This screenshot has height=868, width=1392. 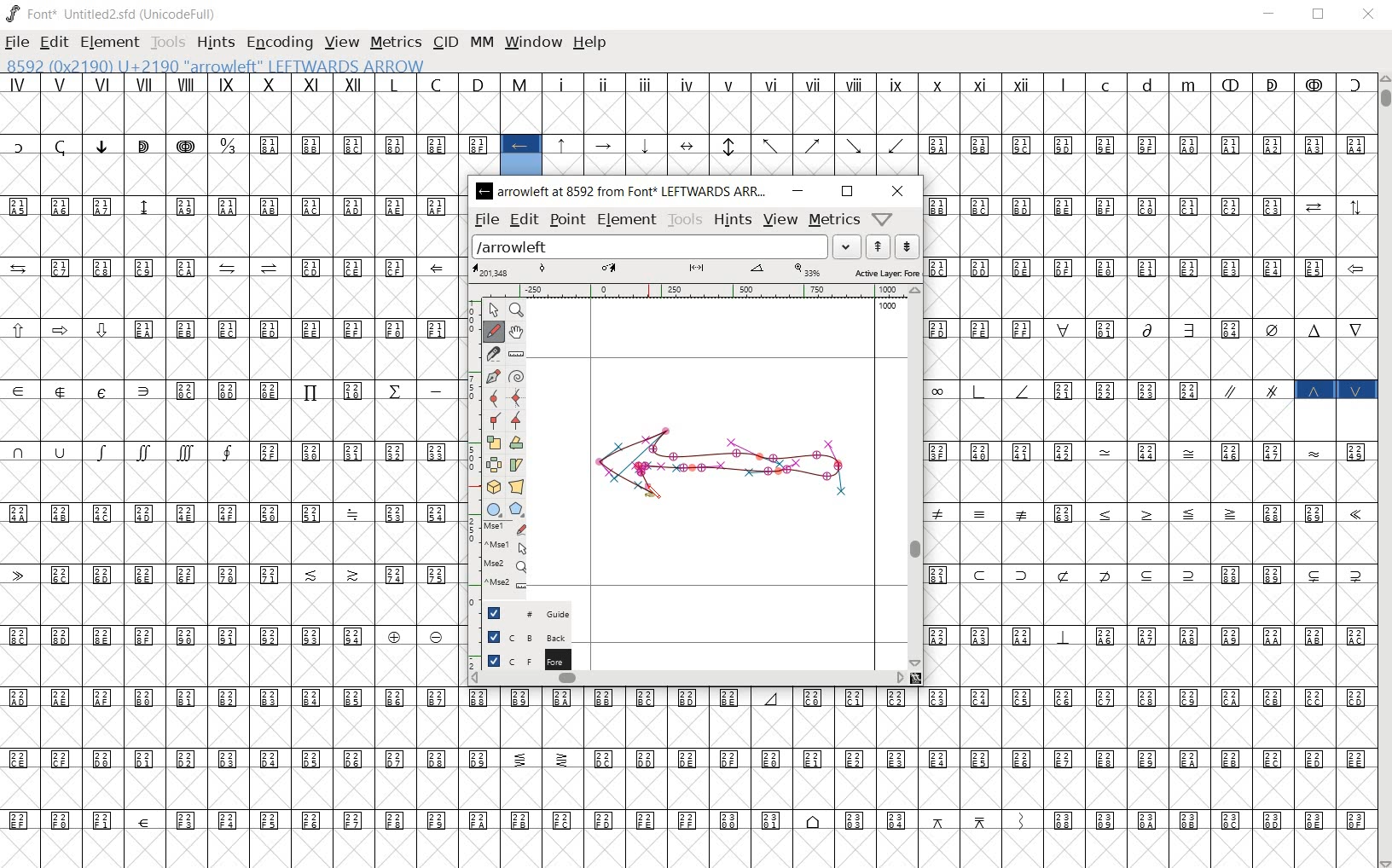 I want to click on restore, so click(x=1320, y=14).